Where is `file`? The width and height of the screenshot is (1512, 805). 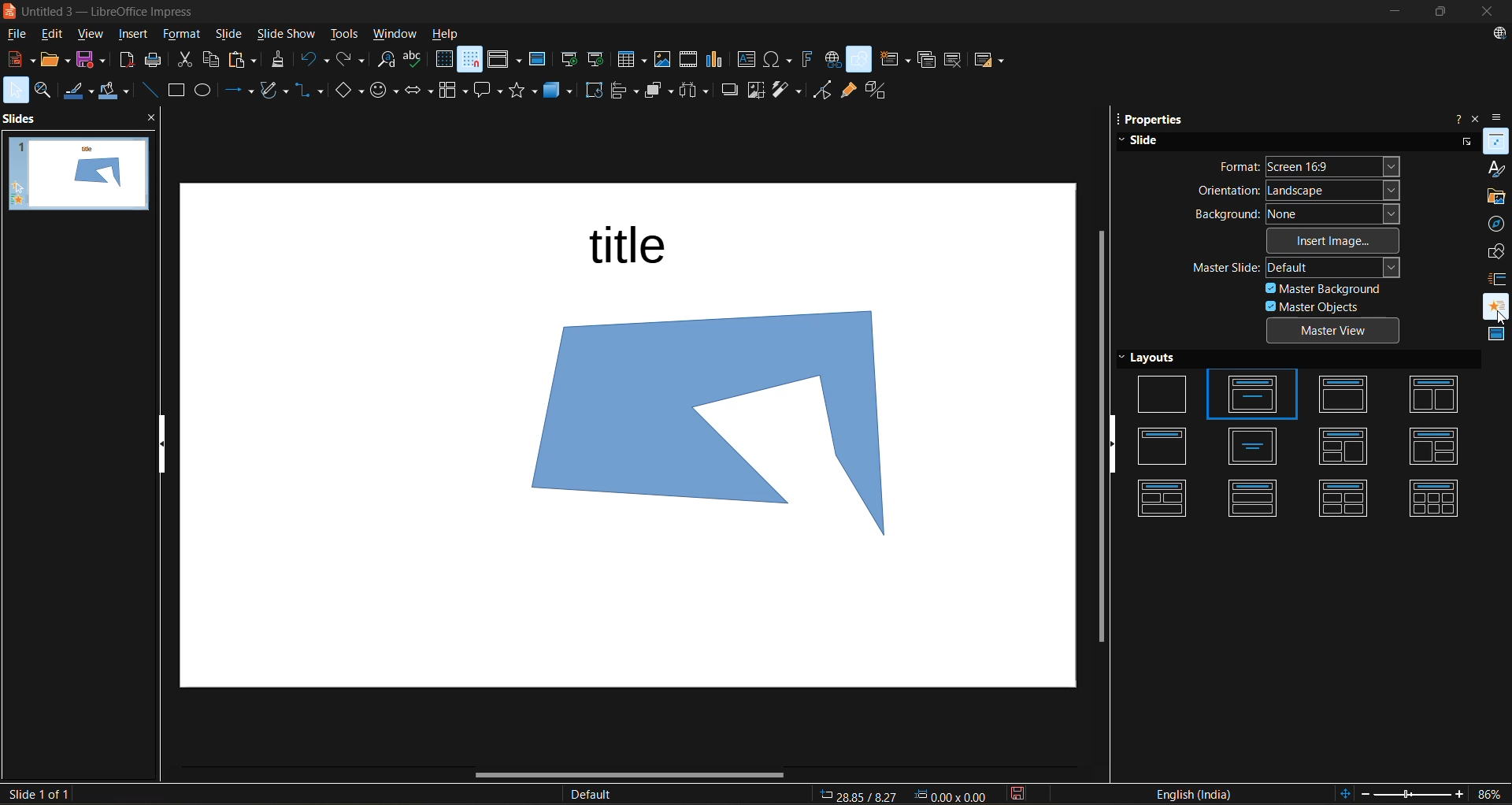 file is located at coordinates (16, 32).